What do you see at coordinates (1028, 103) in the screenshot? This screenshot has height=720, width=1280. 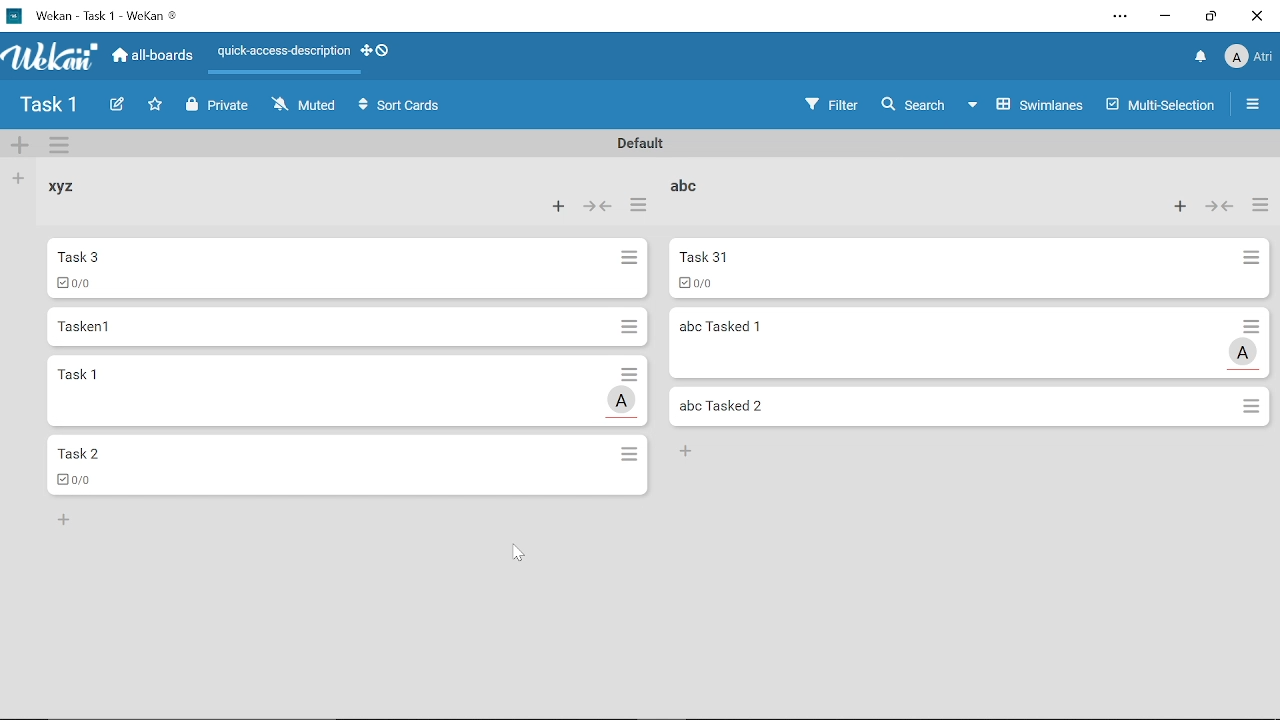 I see `Swimlanes` at bounding box center [1028, 103].